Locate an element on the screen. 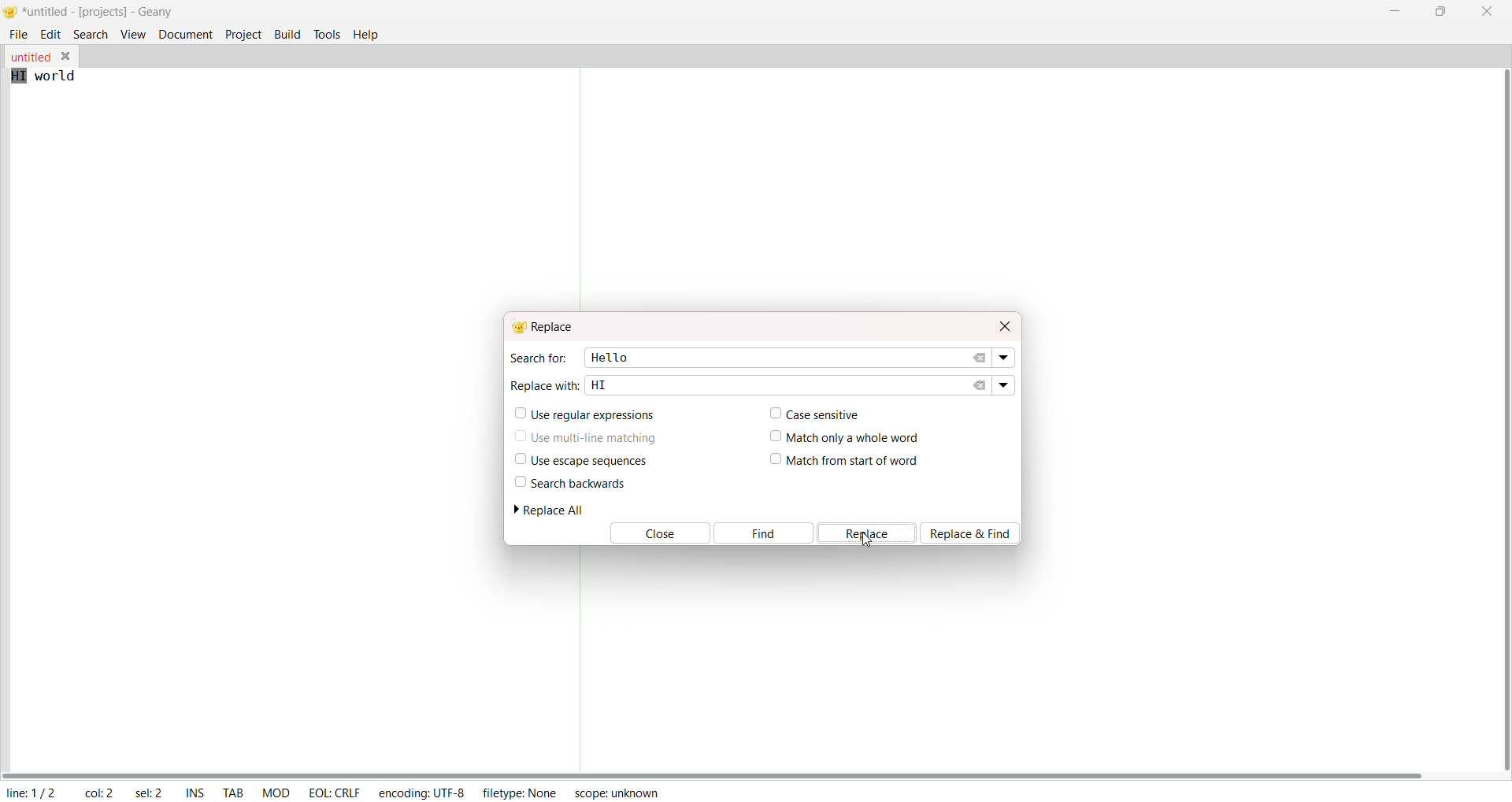 The image size is (1512, 802). replace is located at coordinates (868, 533).